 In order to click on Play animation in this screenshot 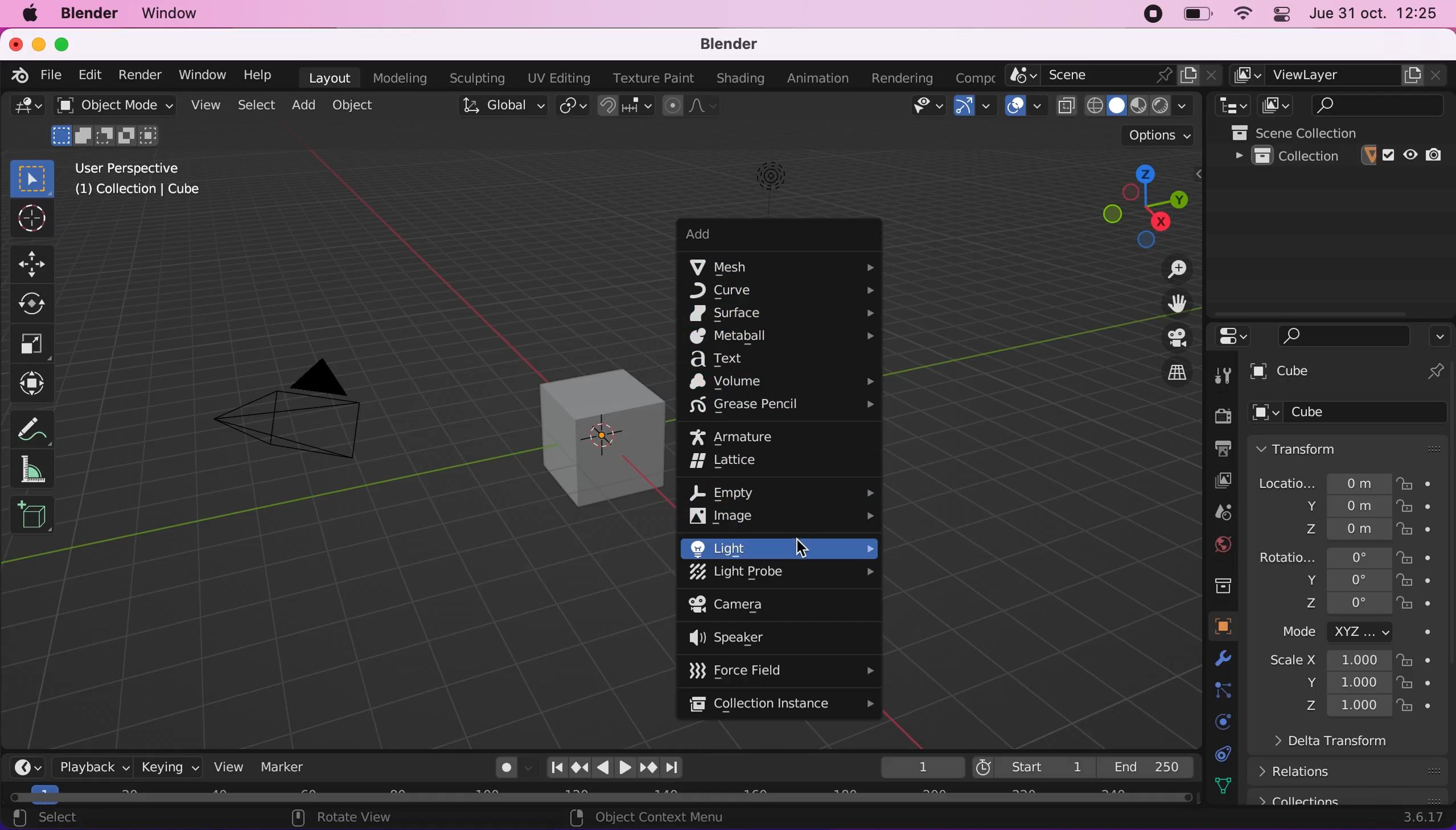, I will do `click(624, 768)`.